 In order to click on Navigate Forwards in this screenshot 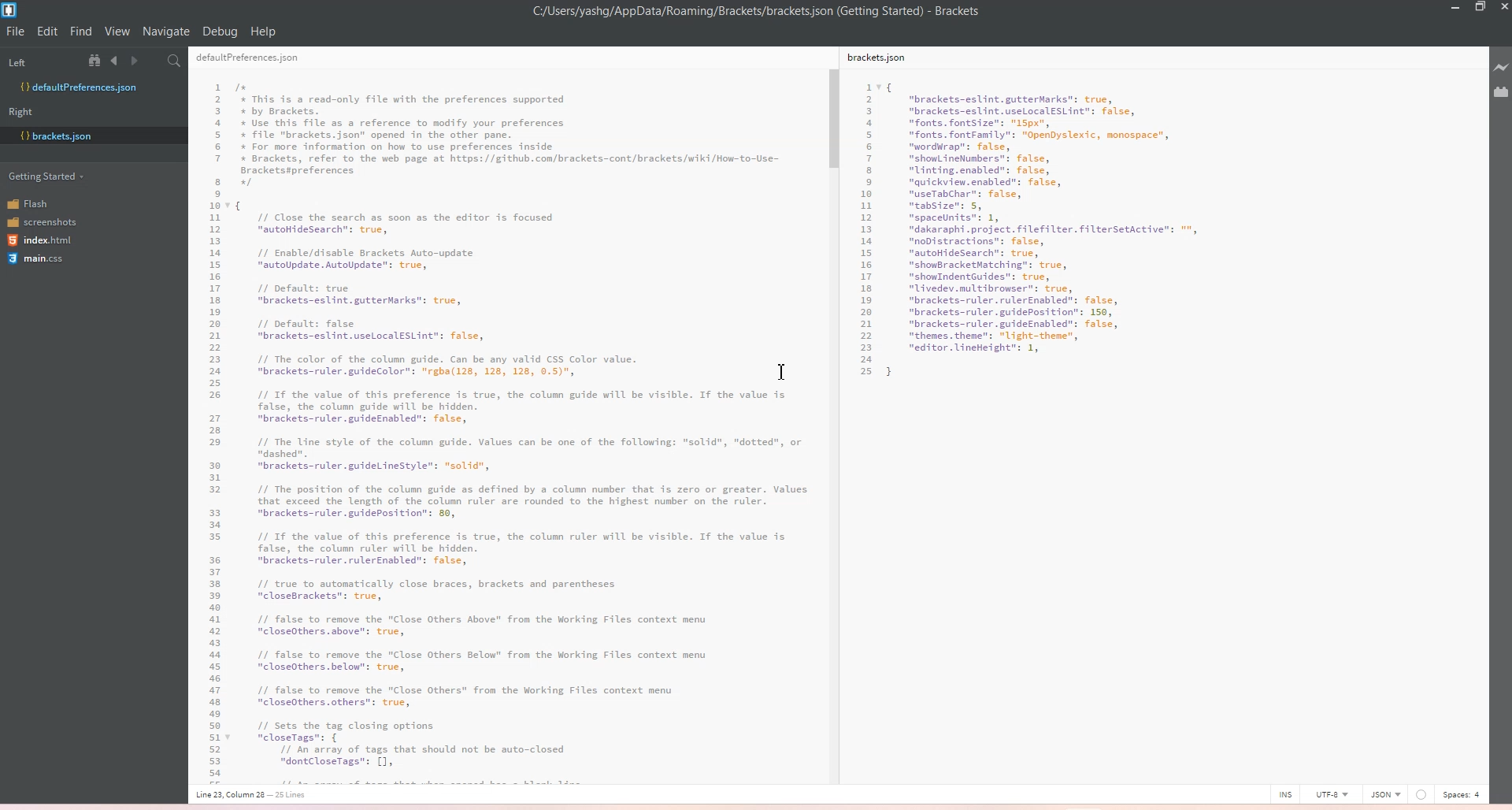, I will do `click(137, 61)`.